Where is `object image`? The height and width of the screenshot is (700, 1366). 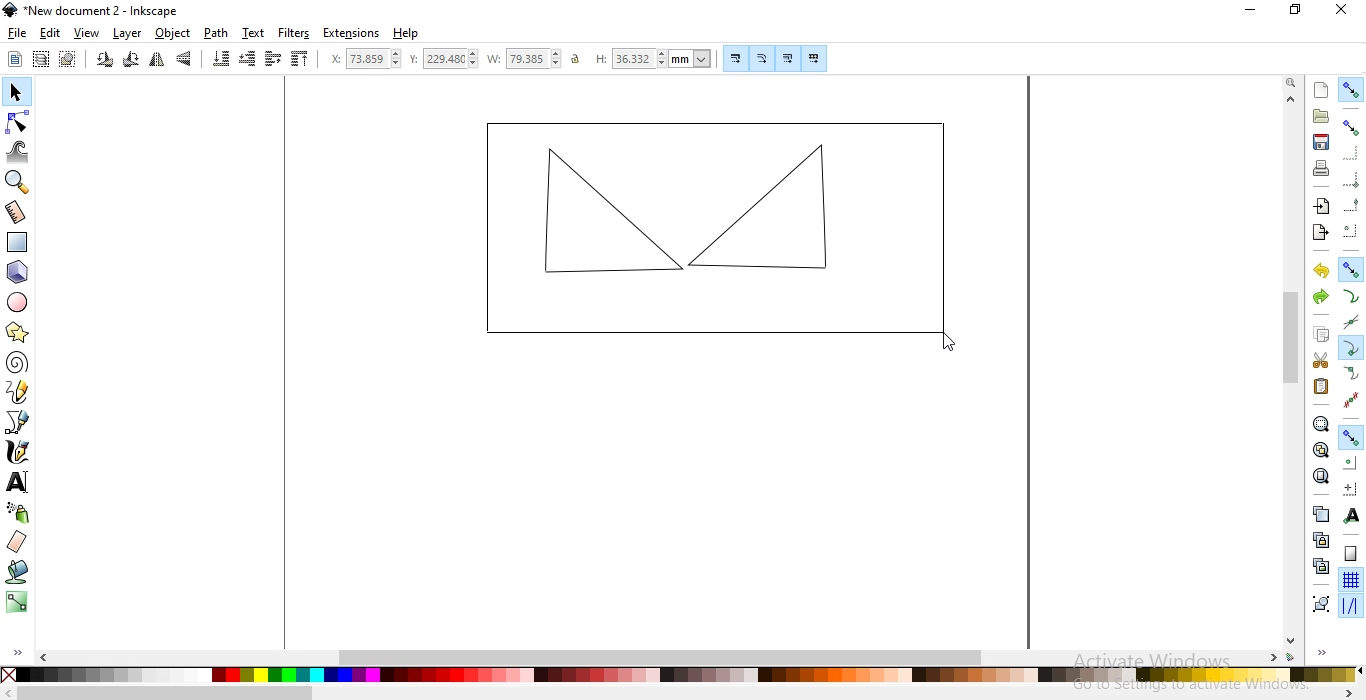
object image is located at coordinates (710, 228).